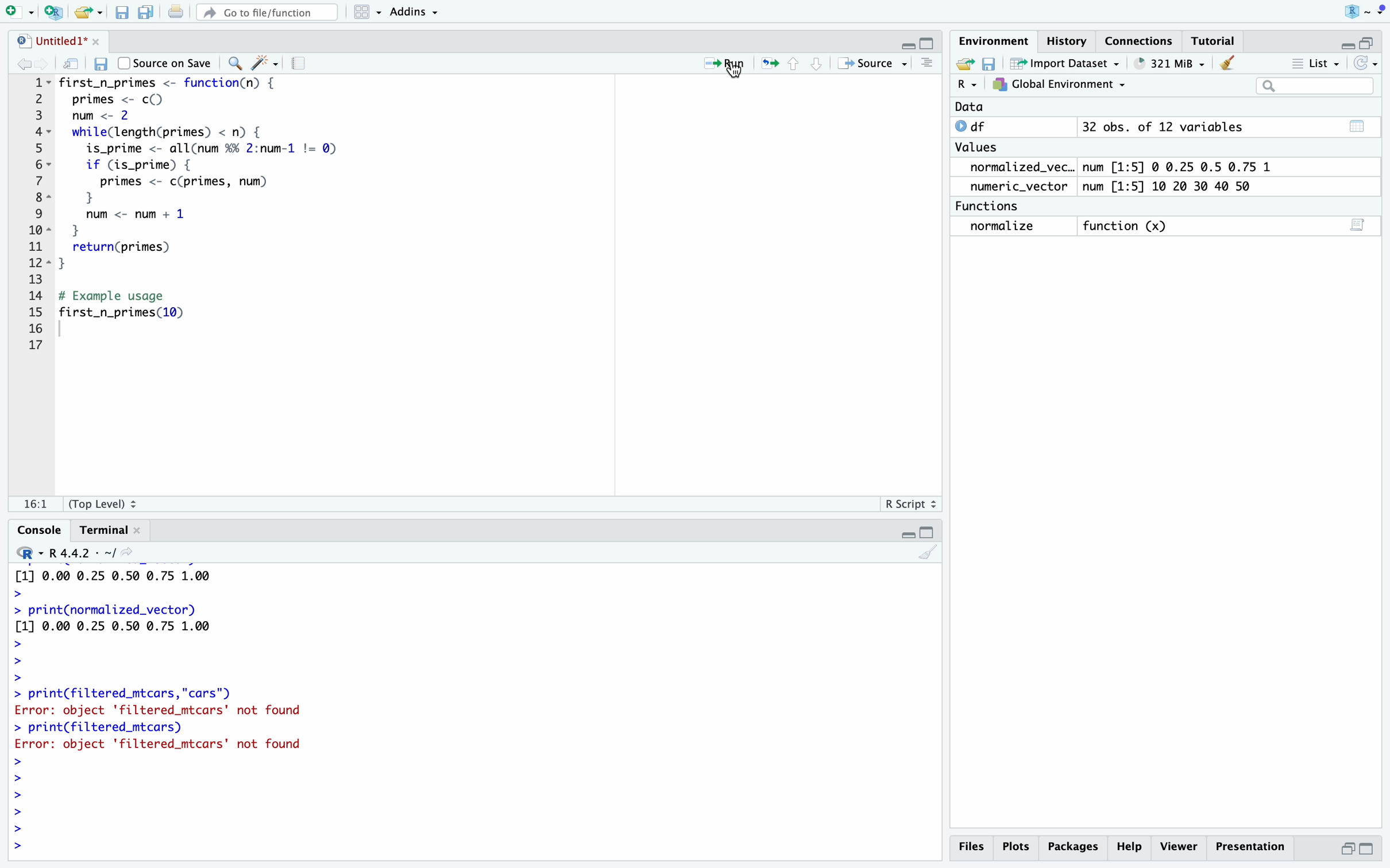 The height and width of the screenshot is (868, 1390). What do you see at coordinates (264, 63) in the screenshot?
I see `code tools` at bounding box center [264, 63].